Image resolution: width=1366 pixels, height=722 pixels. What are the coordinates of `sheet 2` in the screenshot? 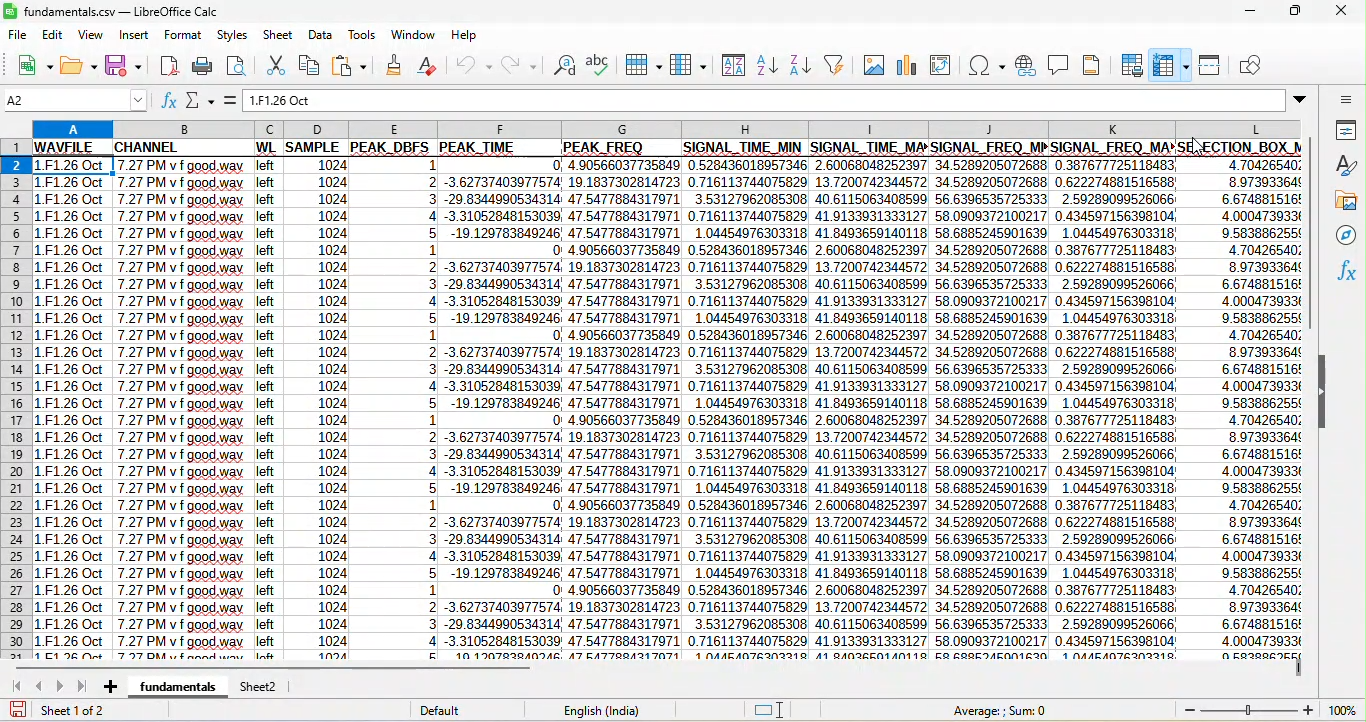 It's located at (266, 686).